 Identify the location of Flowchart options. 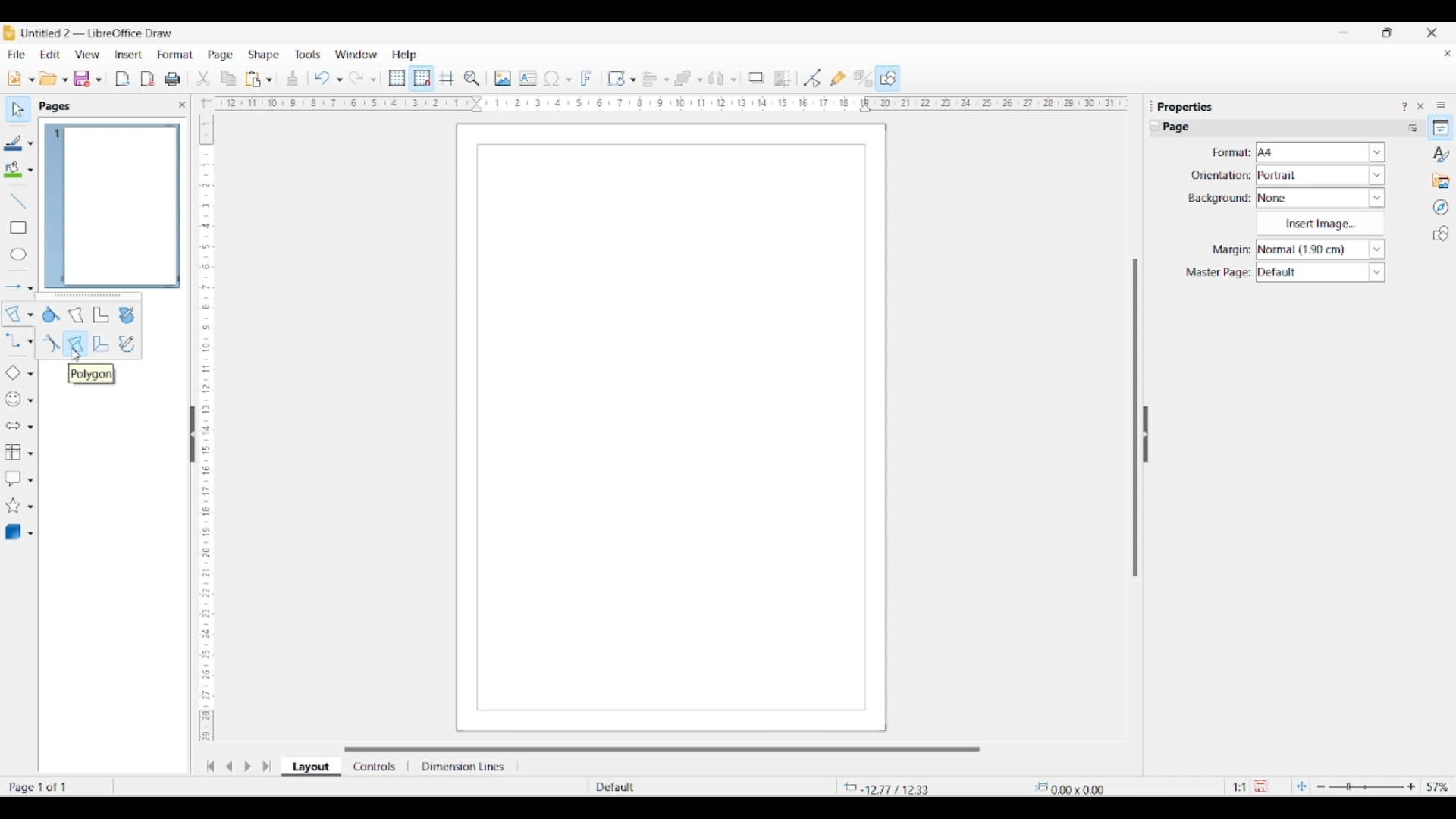
(30, 453).